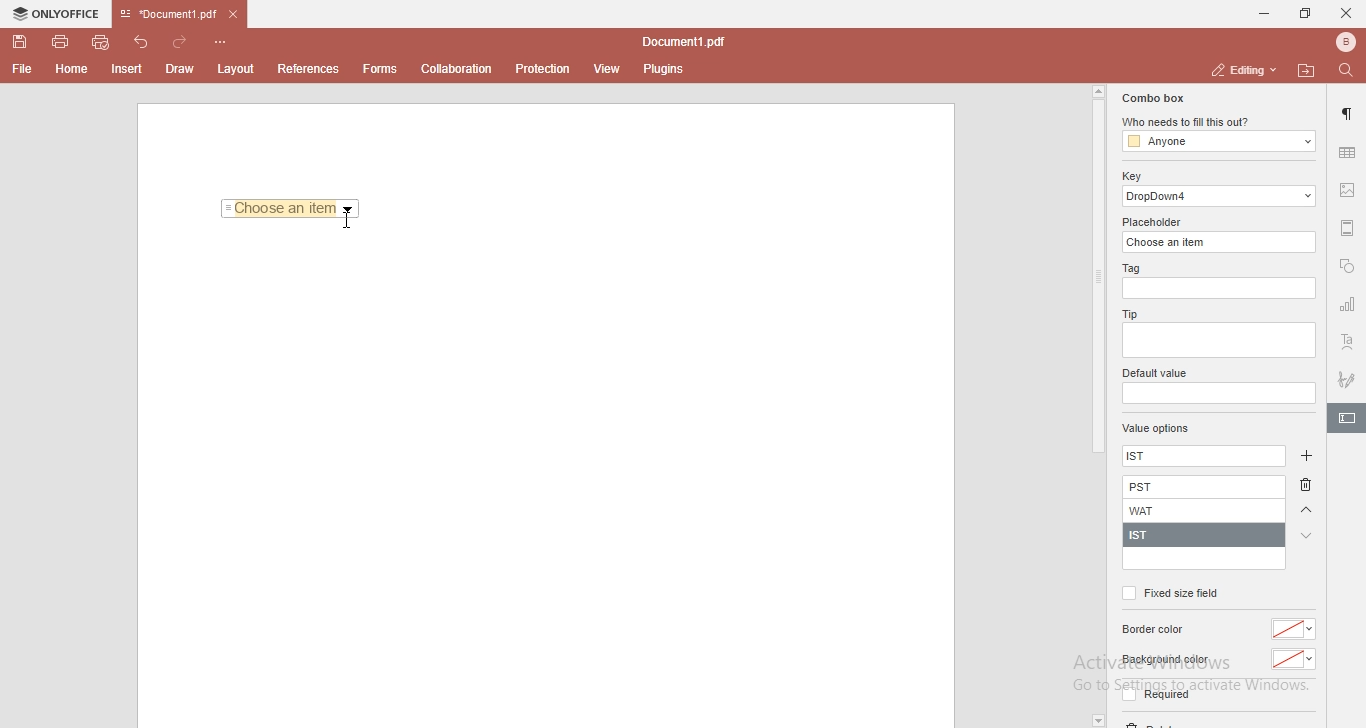 This screenshot has height=728, width=1366. I want to click on empty box, so click(1217, 342).